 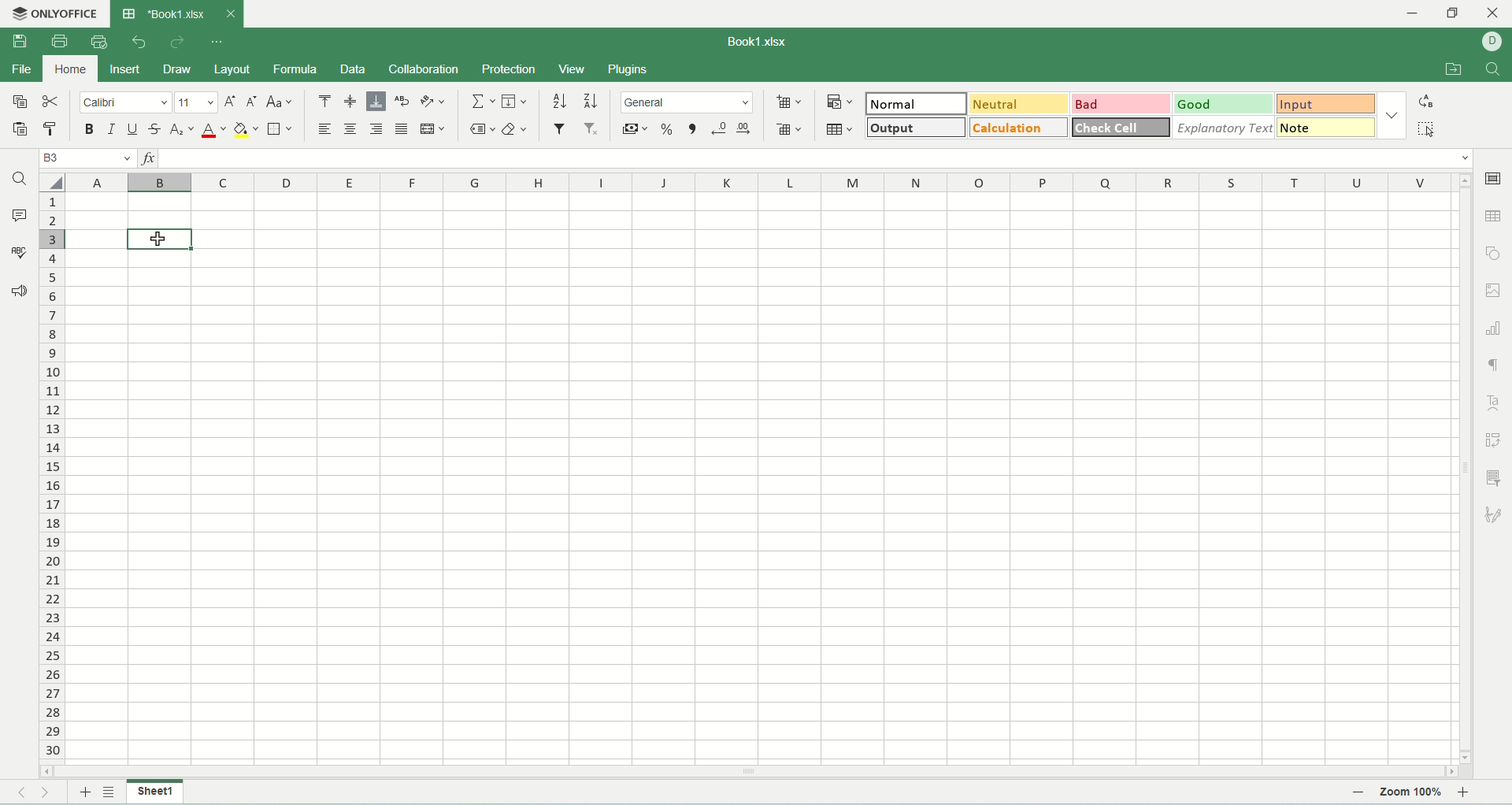 I want to click on horizontal scroll bar, so click(x=749, y=770).